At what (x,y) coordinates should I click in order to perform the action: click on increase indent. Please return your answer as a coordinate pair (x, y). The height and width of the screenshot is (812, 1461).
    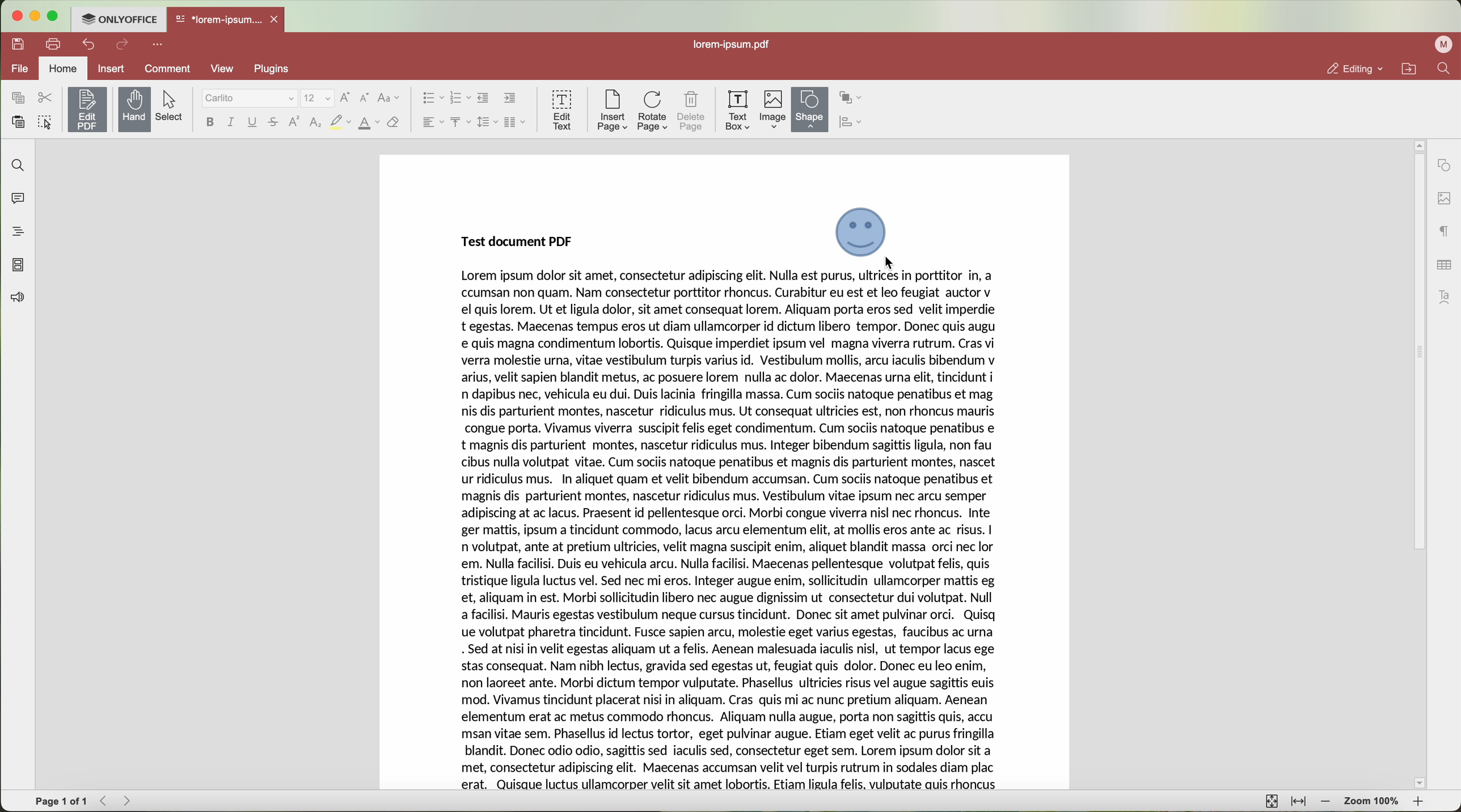
    Looking at the image, I should click on (509, 99).